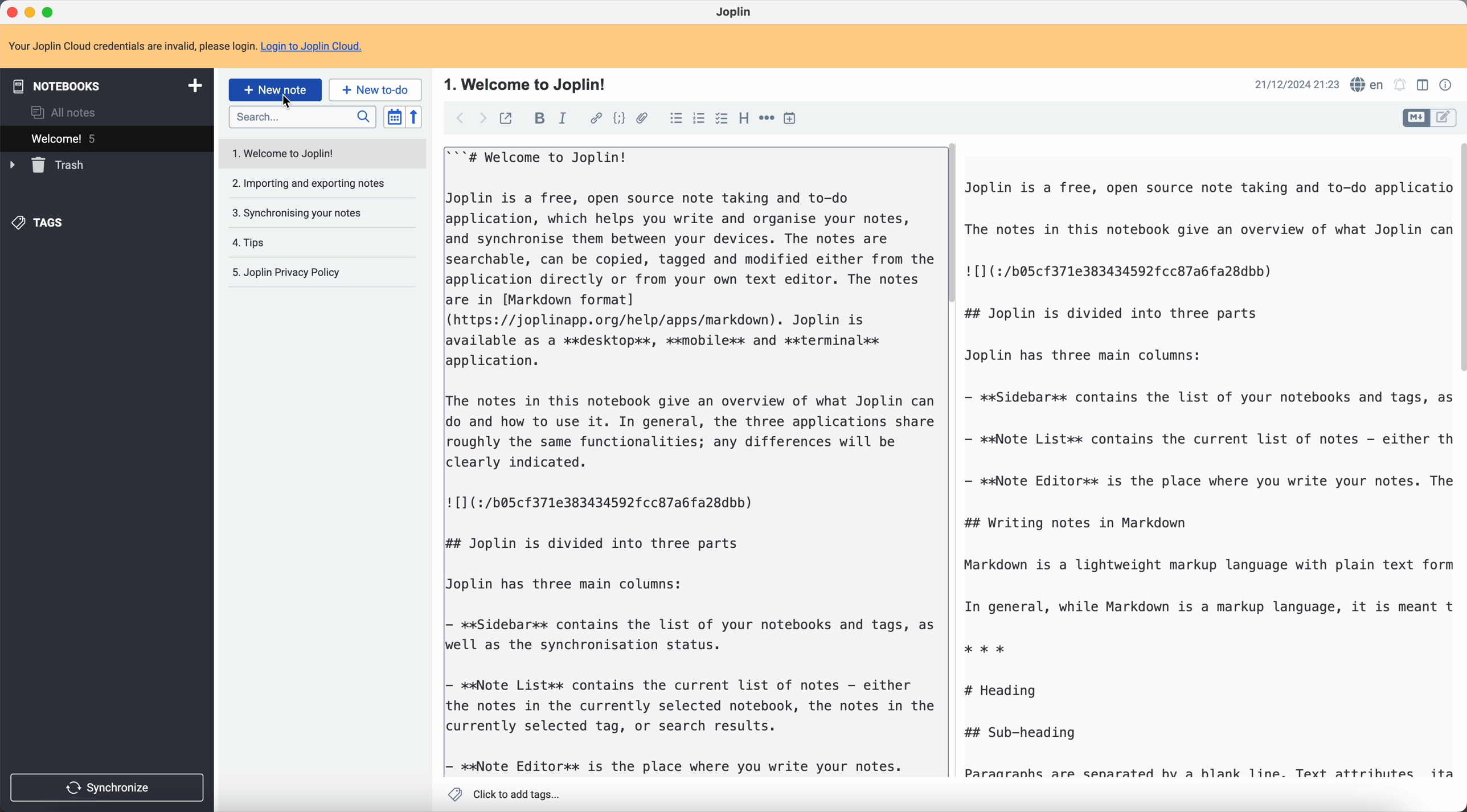  What do you see at coordinates (11, 11) in the screenshot?
I see `close Joplin` at bounding box center [11, 11].